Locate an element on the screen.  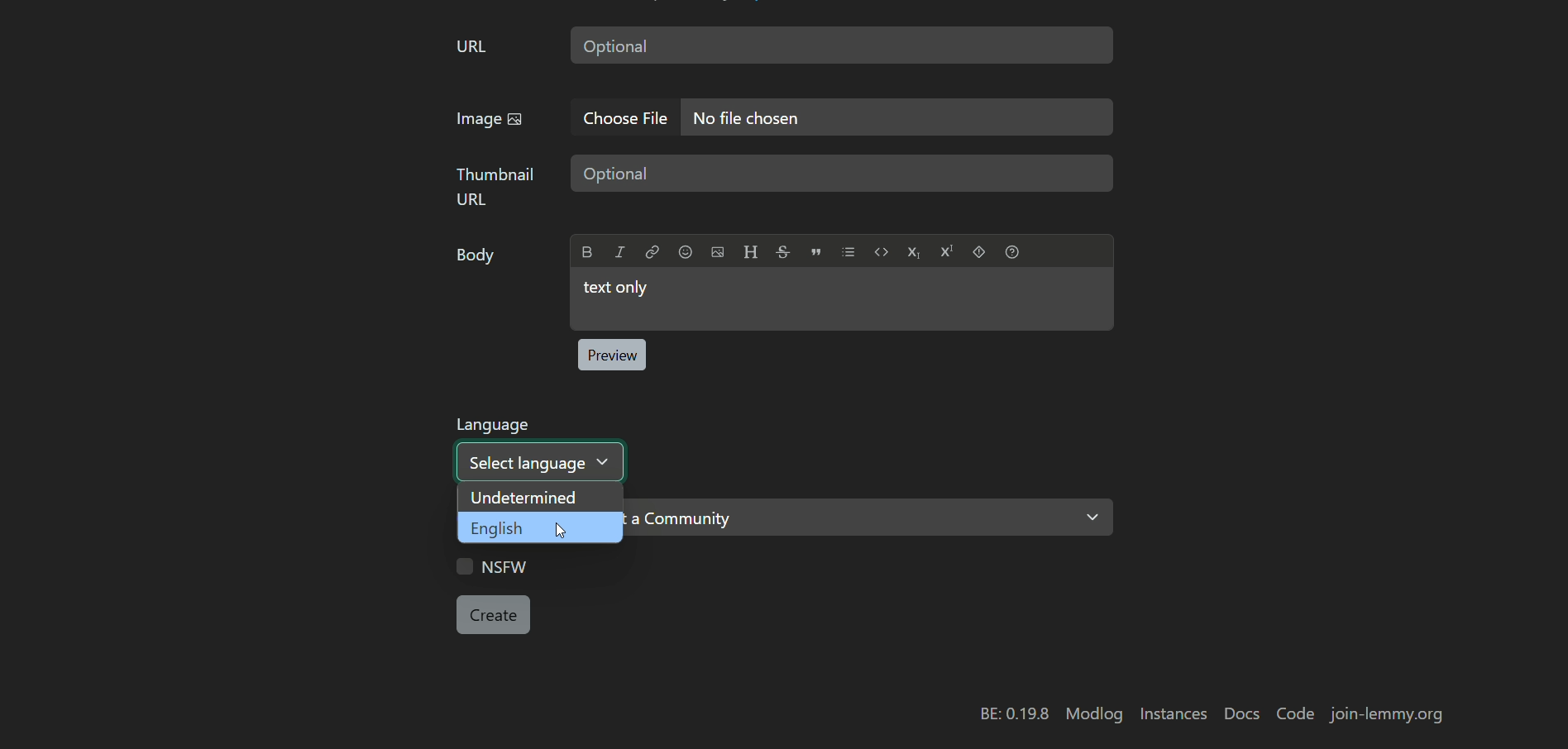
Link is located at coordinates (652, 251).